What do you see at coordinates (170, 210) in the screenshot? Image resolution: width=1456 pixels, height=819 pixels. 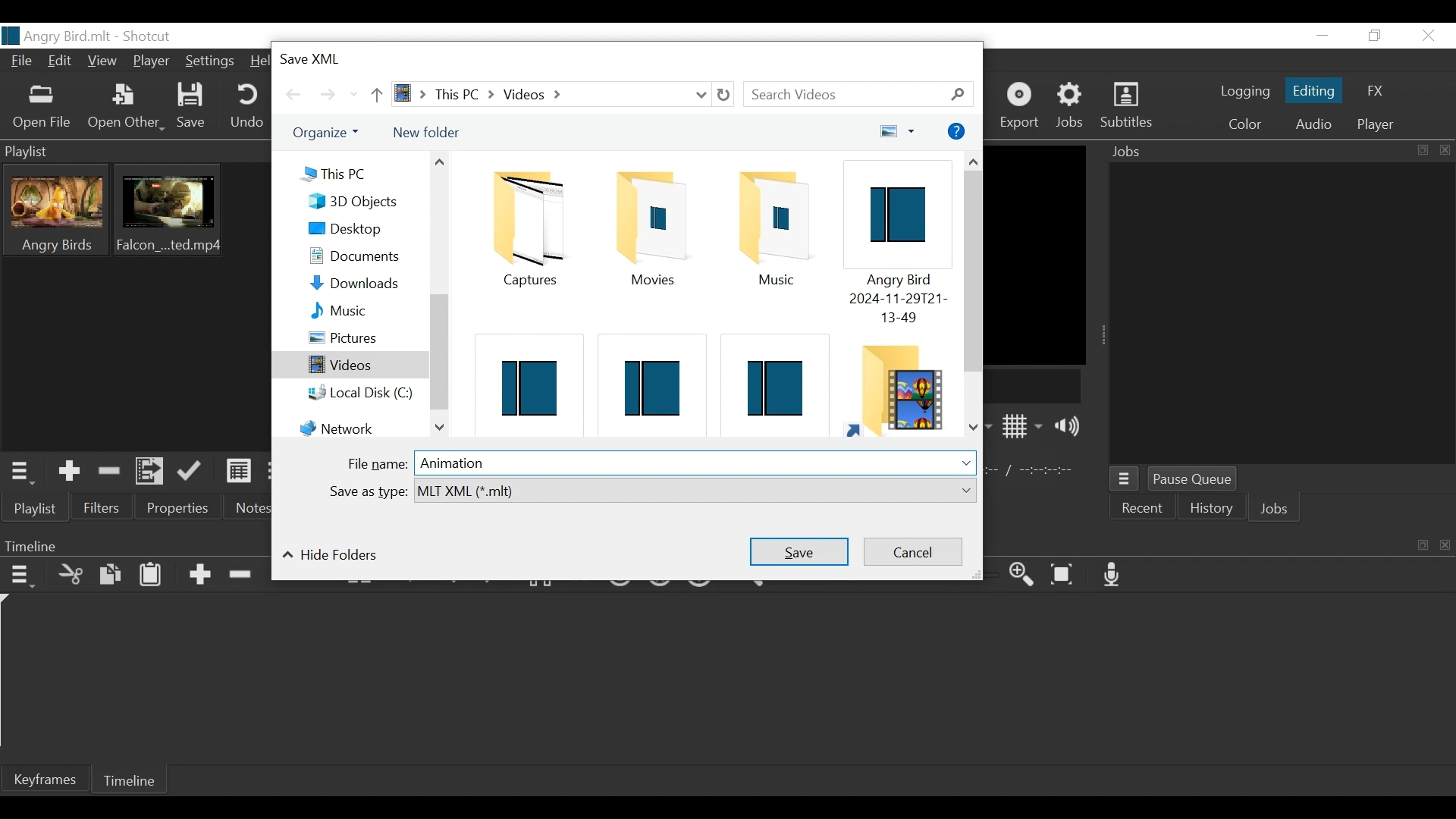 I see `Clip` at bounding box center [170, 210].